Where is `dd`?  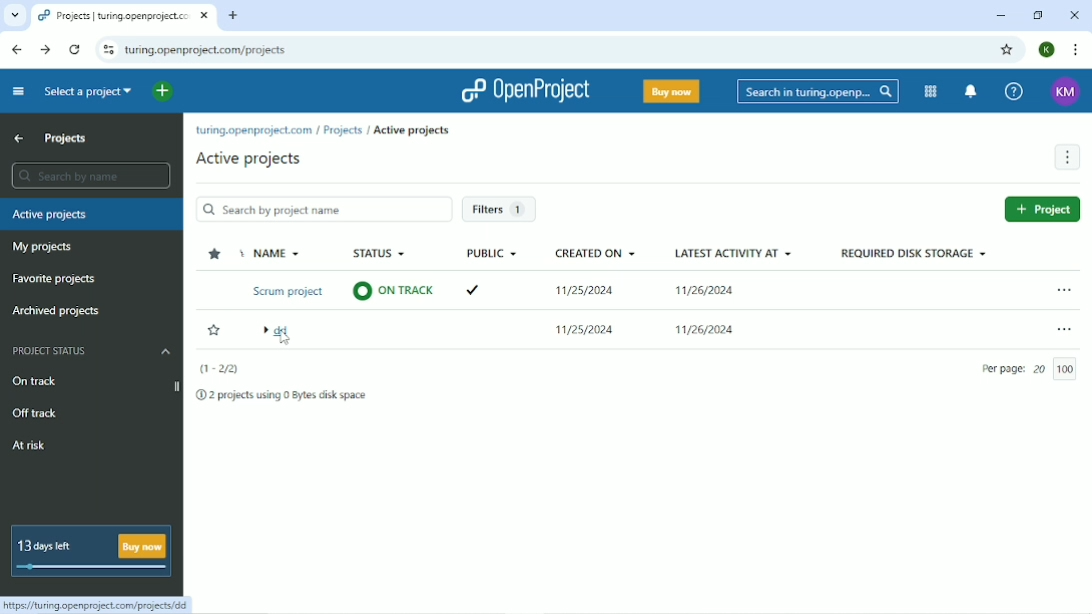
dd is located at coordinates (277, 332).